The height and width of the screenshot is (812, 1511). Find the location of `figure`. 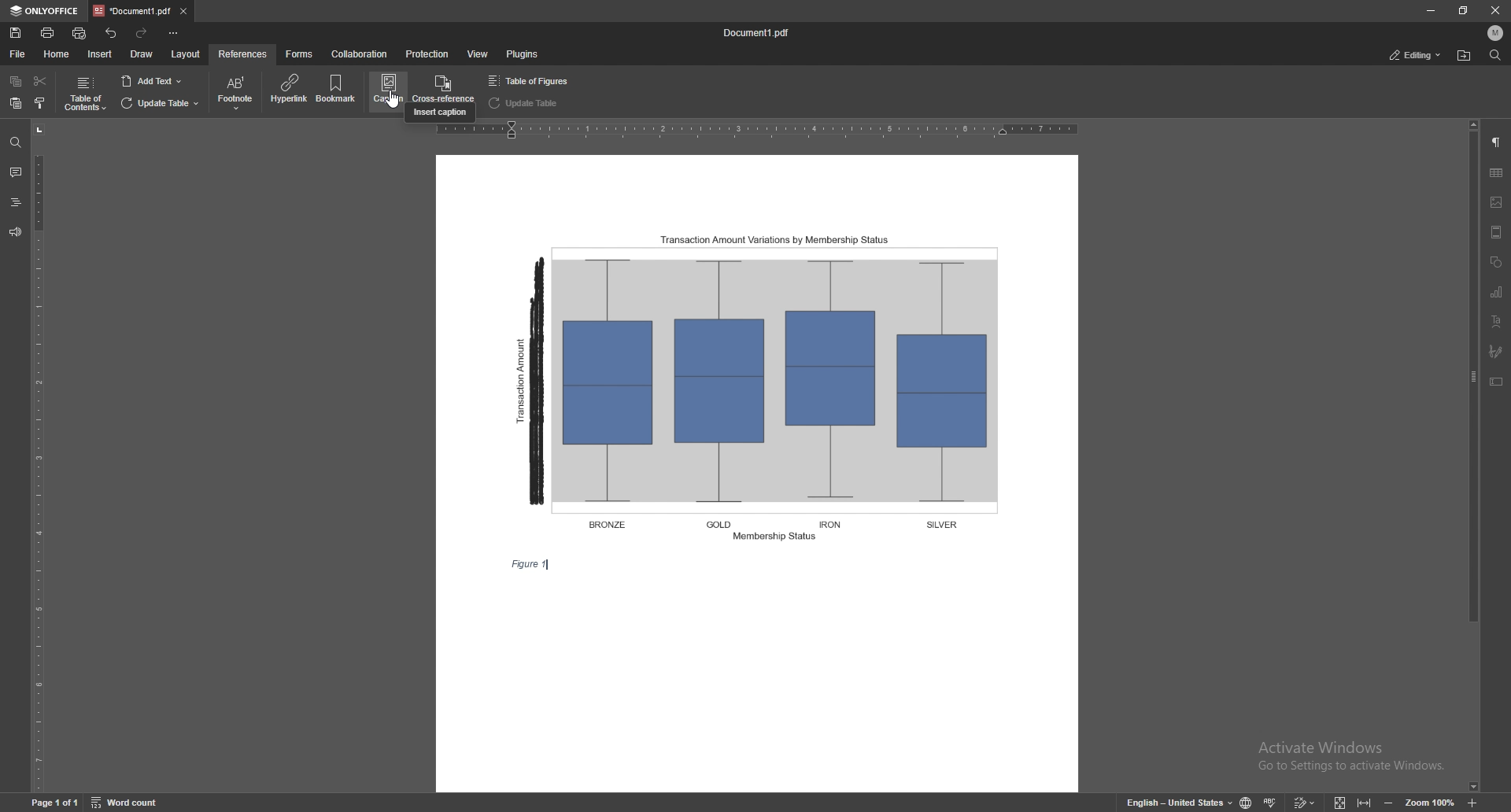

figure is located at coordinates (763, 376).